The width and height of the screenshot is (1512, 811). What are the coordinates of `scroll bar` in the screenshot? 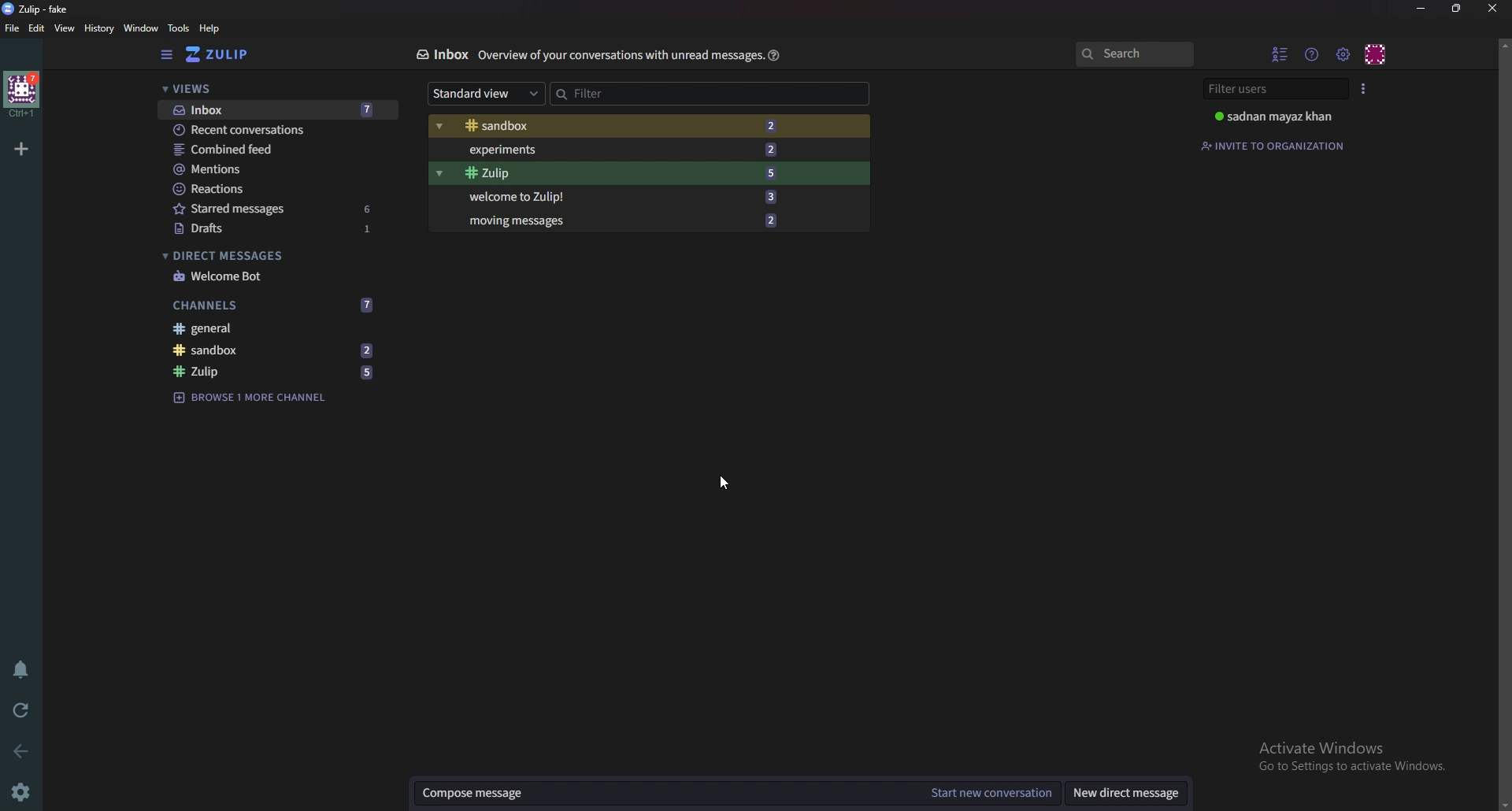 It's located at (1503, 421).